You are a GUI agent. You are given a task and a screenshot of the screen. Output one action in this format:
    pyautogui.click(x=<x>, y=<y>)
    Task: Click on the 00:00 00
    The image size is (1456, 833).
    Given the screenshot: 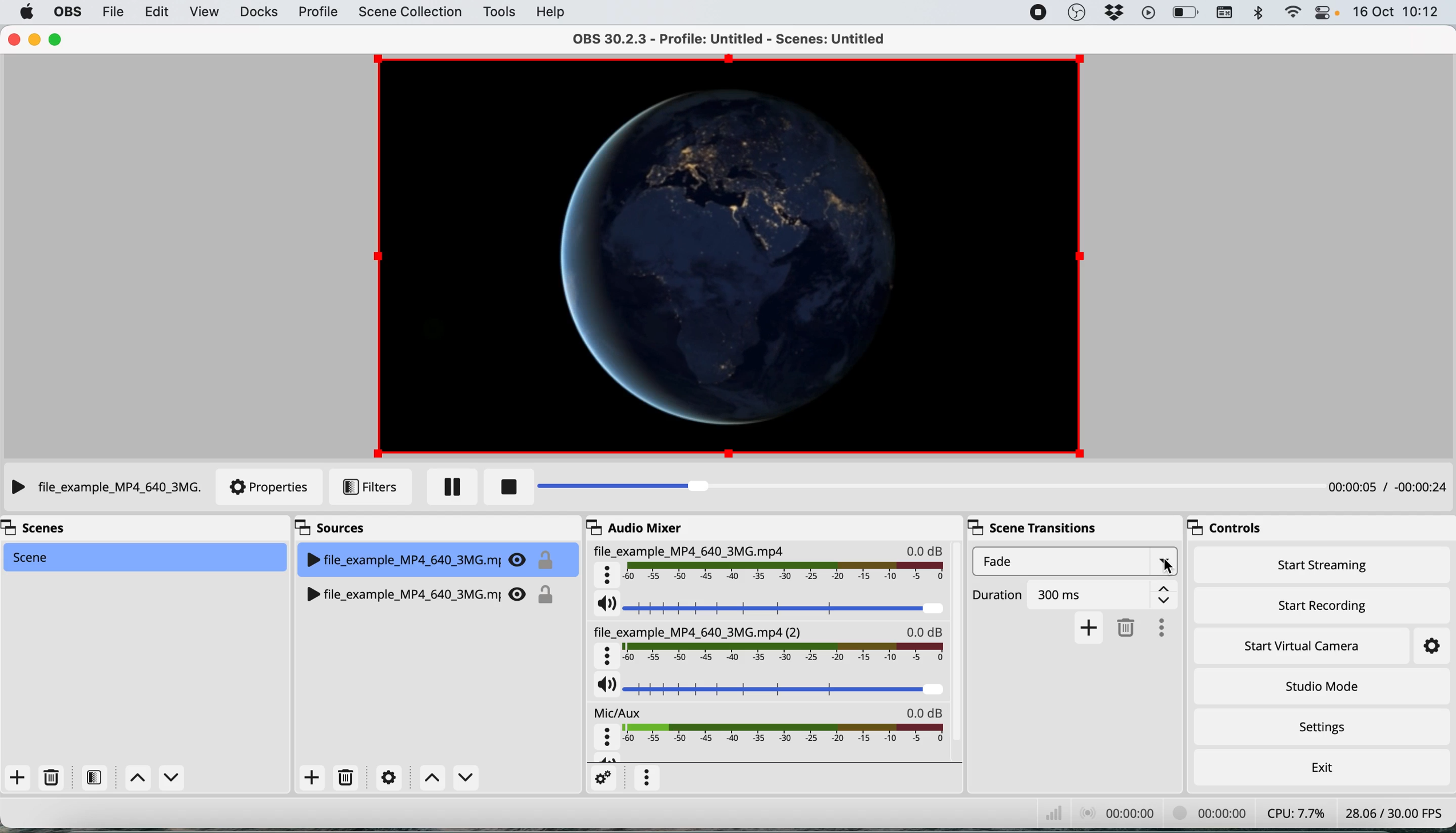 What is the action you would take?
    pyautogui.click(x=1206, y=813)
    